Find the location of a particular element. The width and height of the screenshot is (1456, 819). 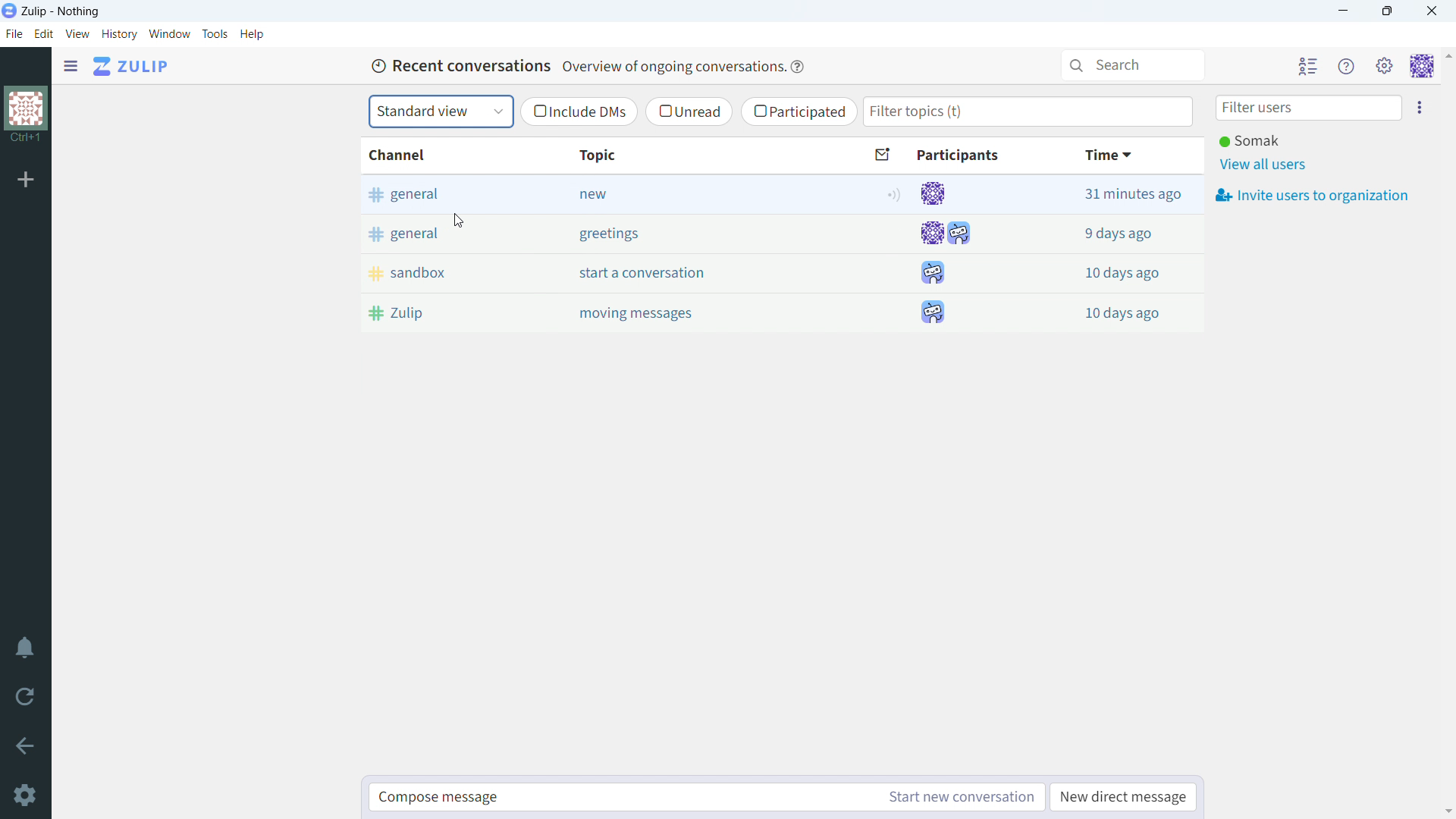

h is located at coordinates (253, 34).